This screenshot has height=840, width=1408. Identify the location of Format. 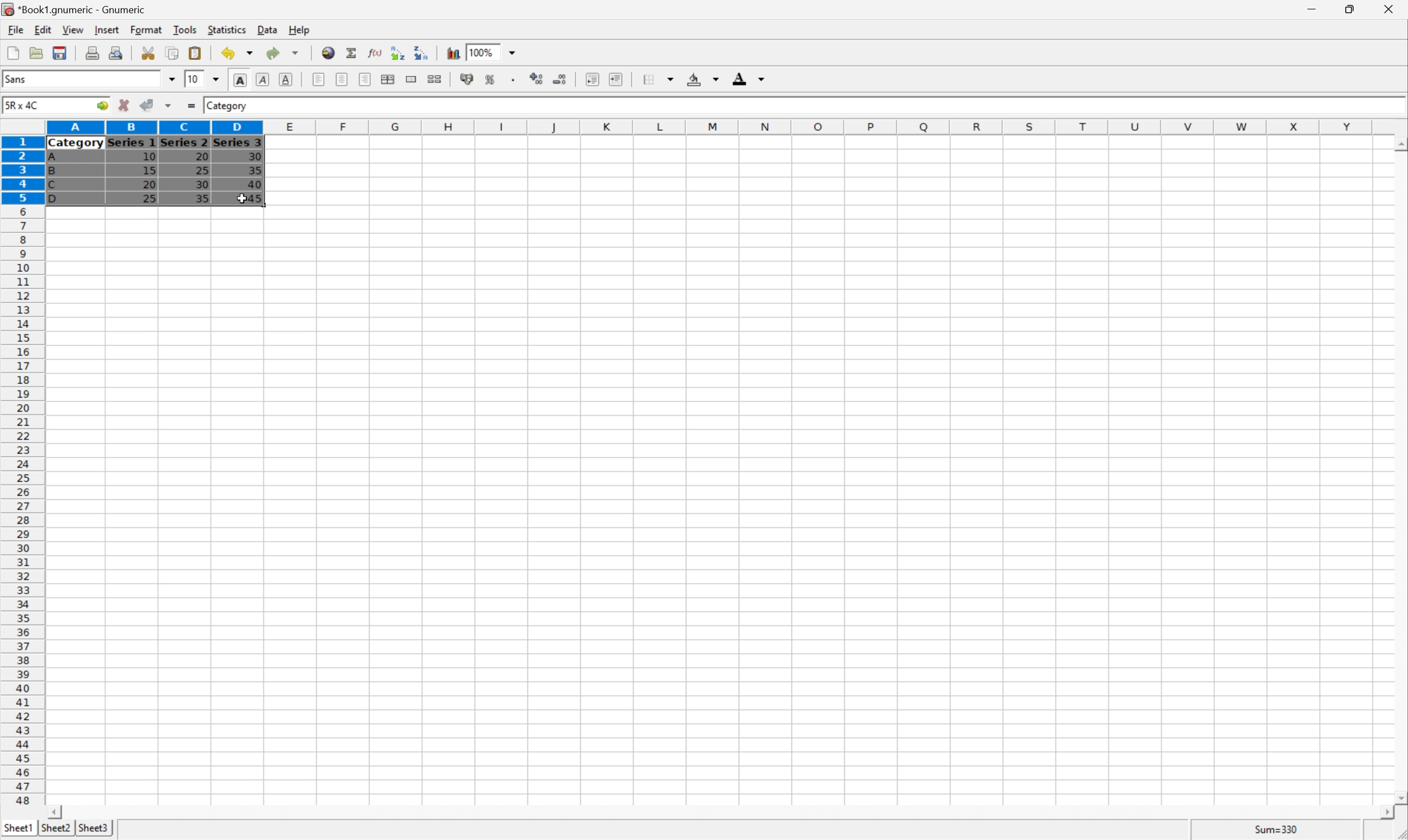
(146, 29).